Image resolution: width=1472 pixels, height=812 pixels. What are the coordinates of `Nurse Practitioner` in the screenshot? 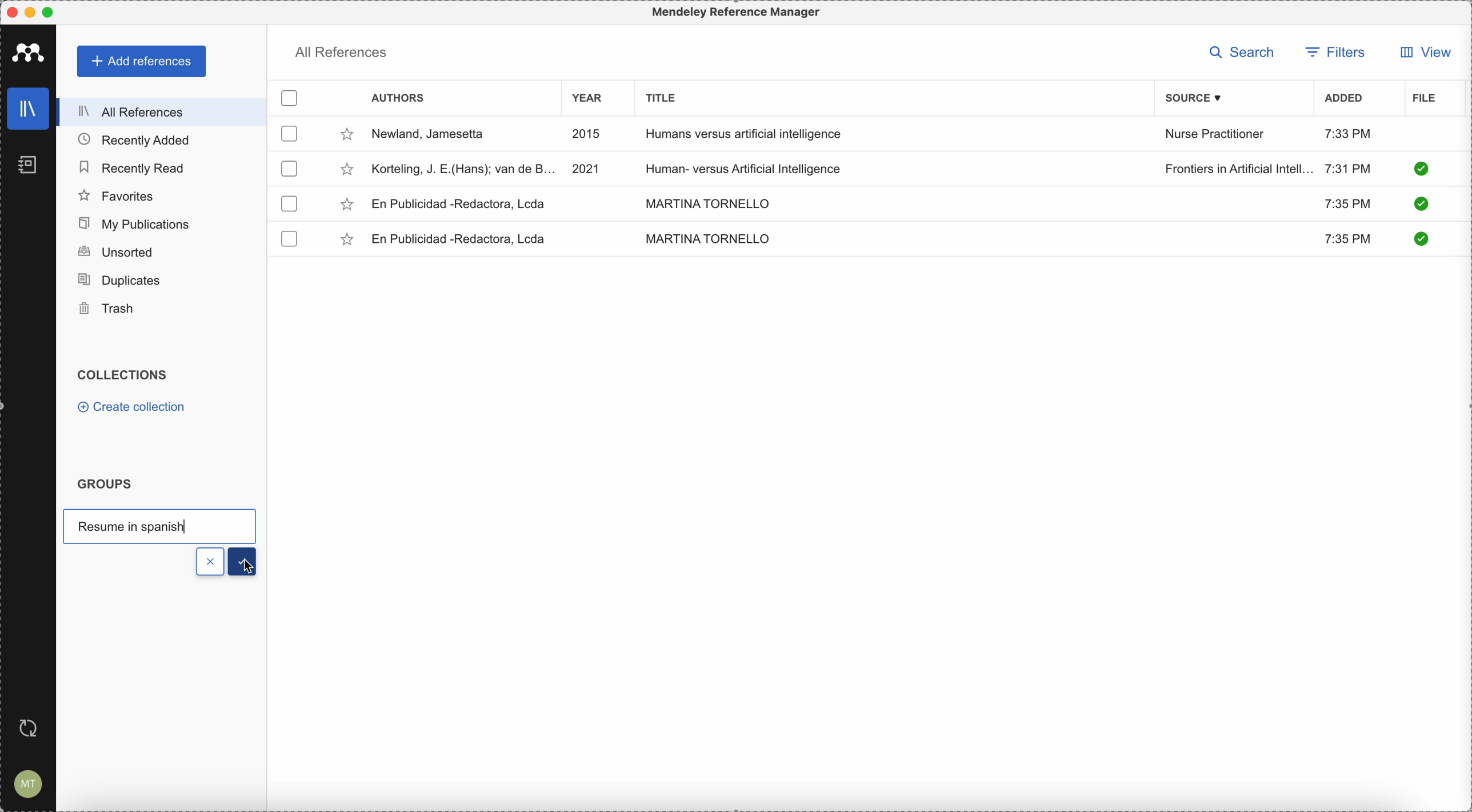 It's located at (1217, 134).